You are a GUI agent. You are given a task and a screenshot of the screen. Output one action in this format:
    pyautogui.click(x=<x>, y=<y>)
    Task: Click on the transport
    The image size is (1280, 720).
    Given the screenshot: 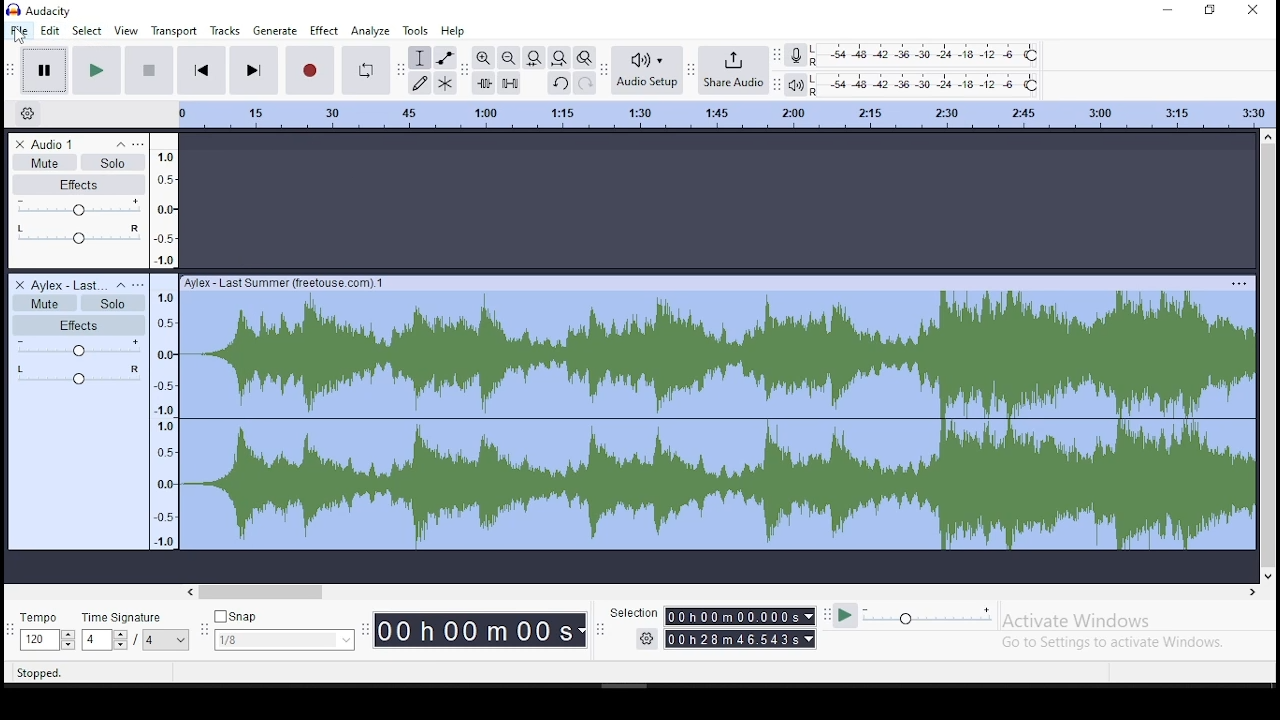 What is the action you would take?
    pyautogui.click(x=176, y=31)
    